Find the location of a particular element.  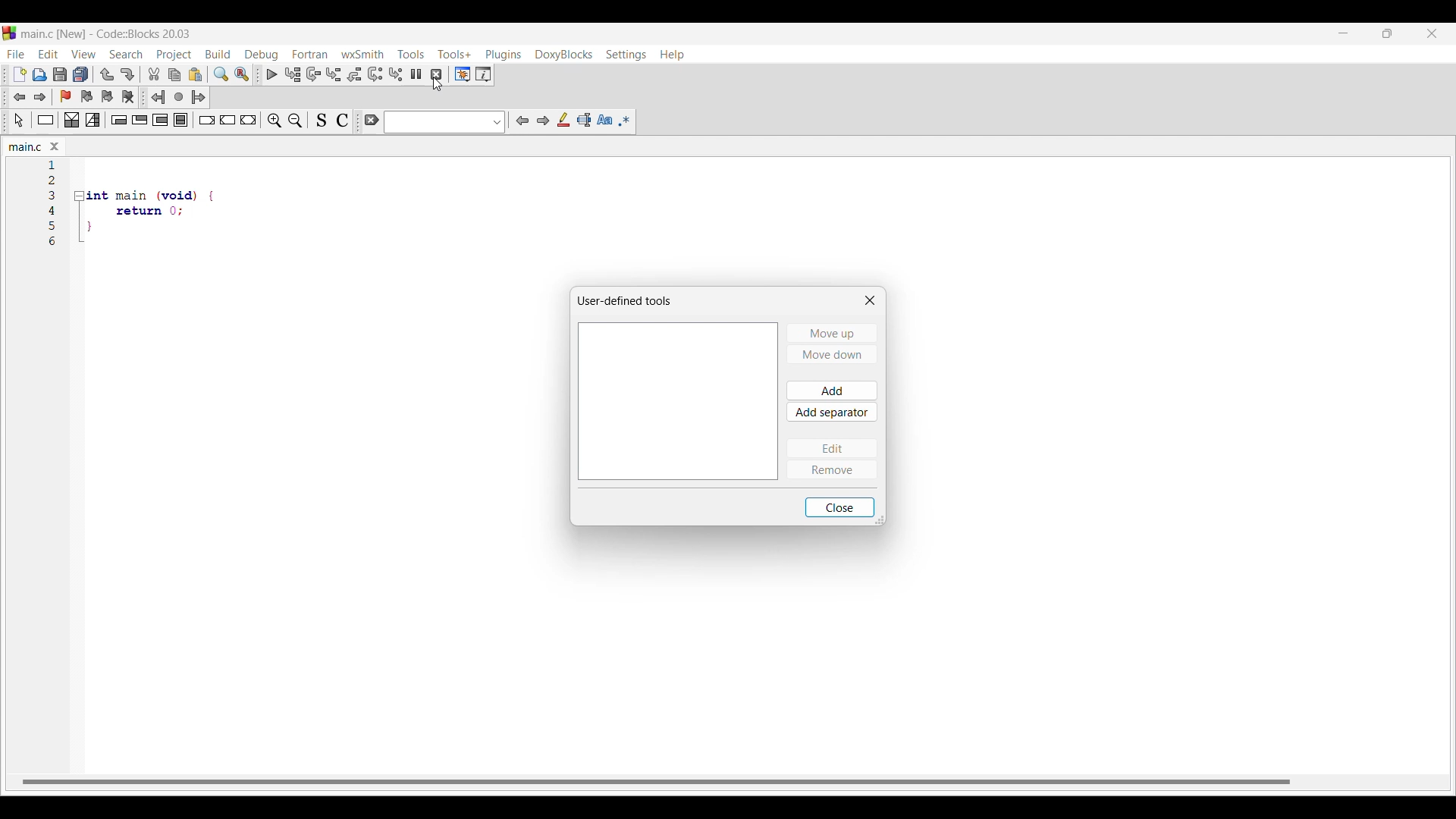

DoxyBlocks menu is located at coordinates (563, 55).